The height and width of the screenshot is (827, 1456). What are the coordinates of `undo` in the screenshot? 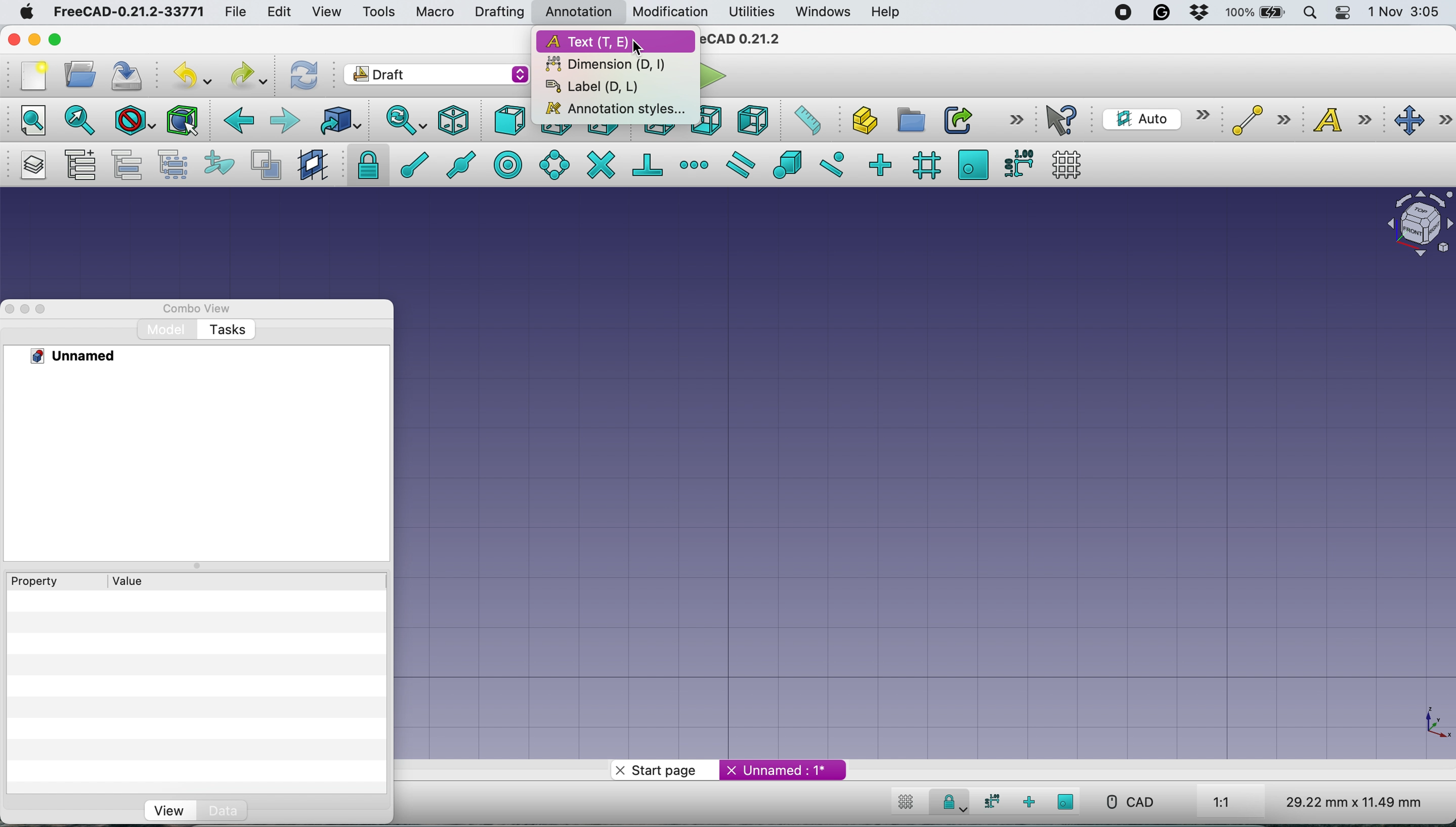 It's located at (197, 73).